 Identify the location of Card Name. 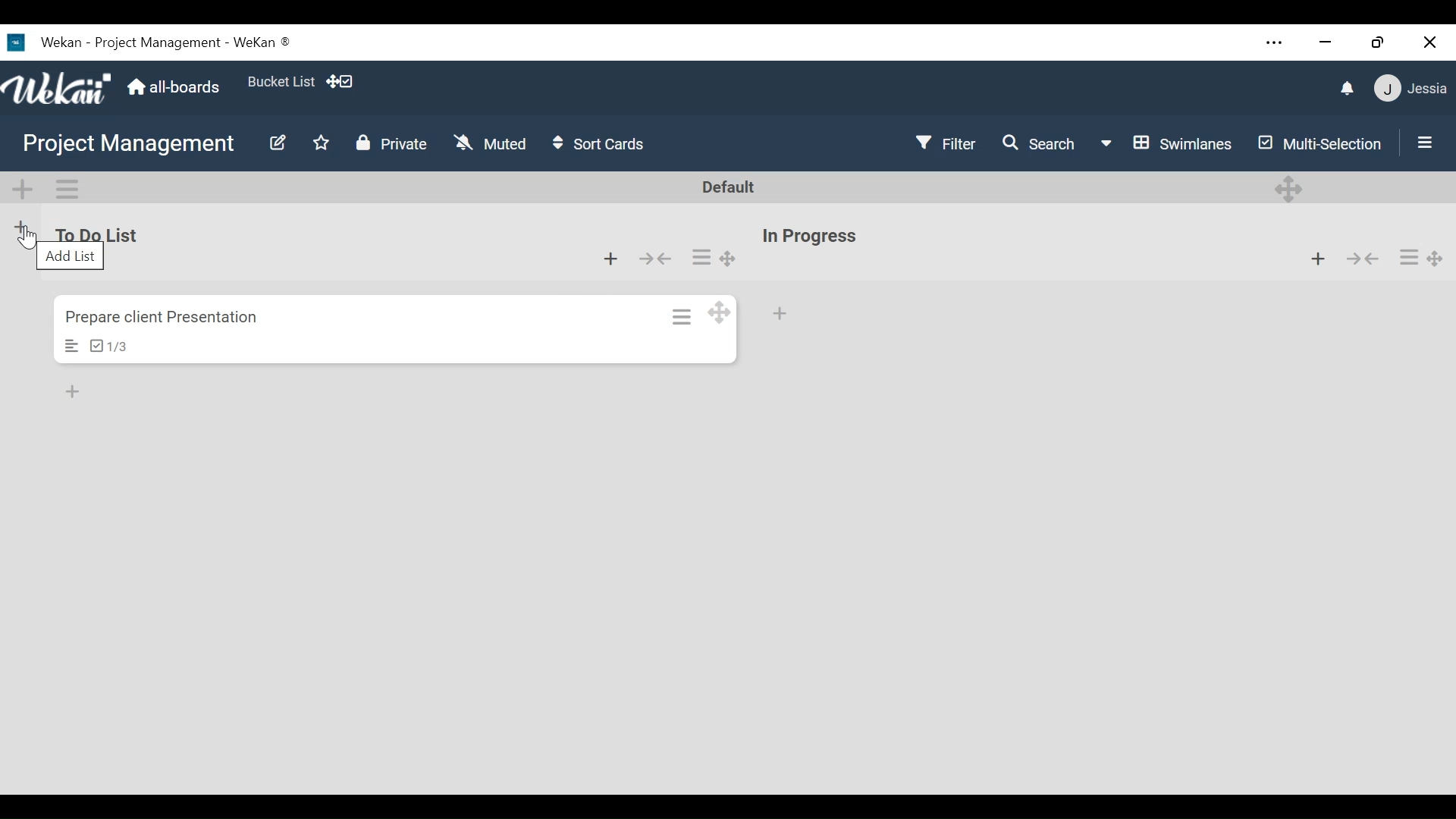
(174, 316).